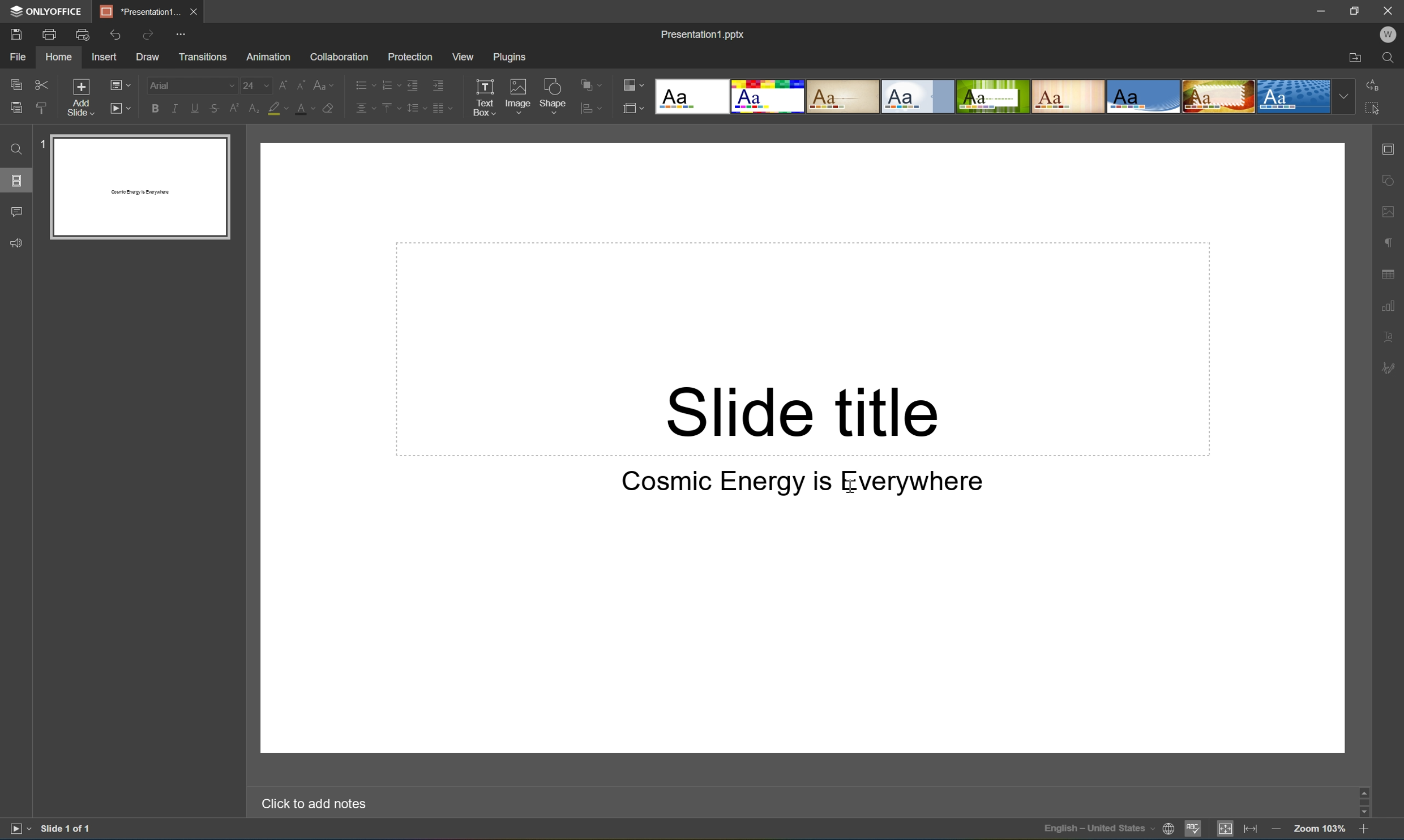 The image size is (1404, 840). What do you see at coordinates (16, 84) in the screenshot?
I see `Copy` at bounding box center [16, 84].